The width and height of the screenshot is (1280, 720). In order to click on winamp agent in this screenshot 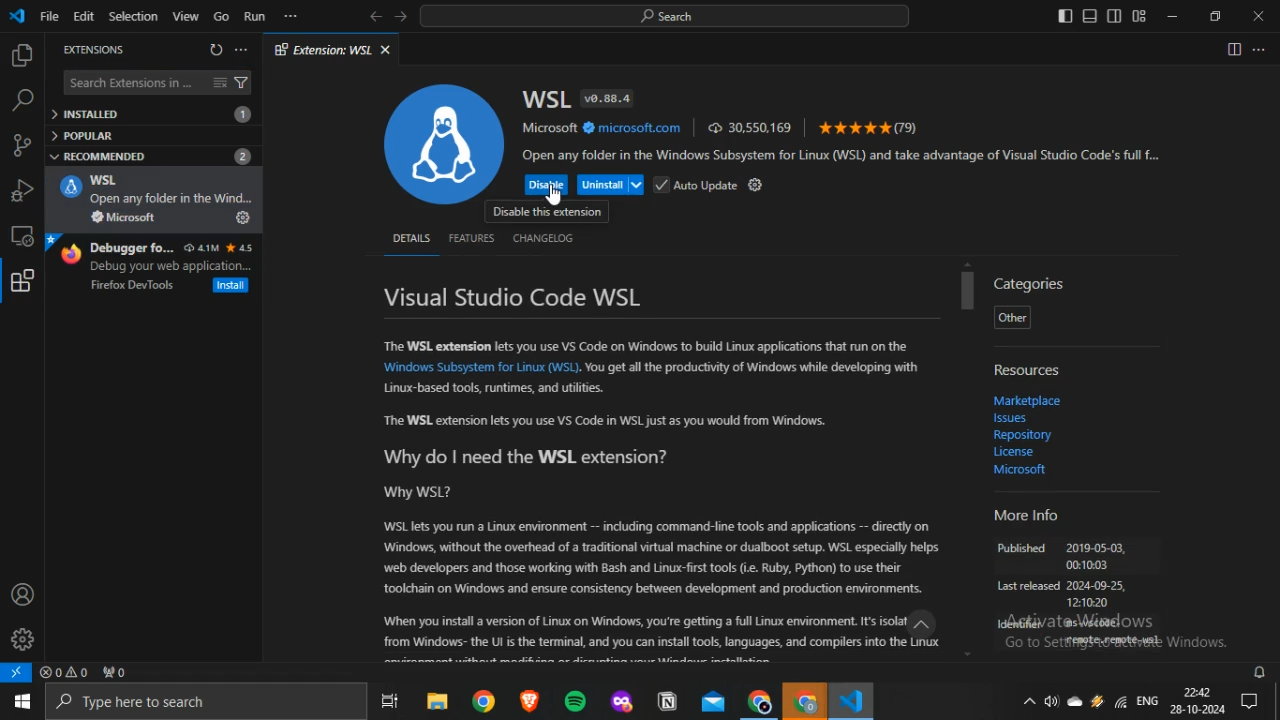, I will do `click(1097, 701)`.